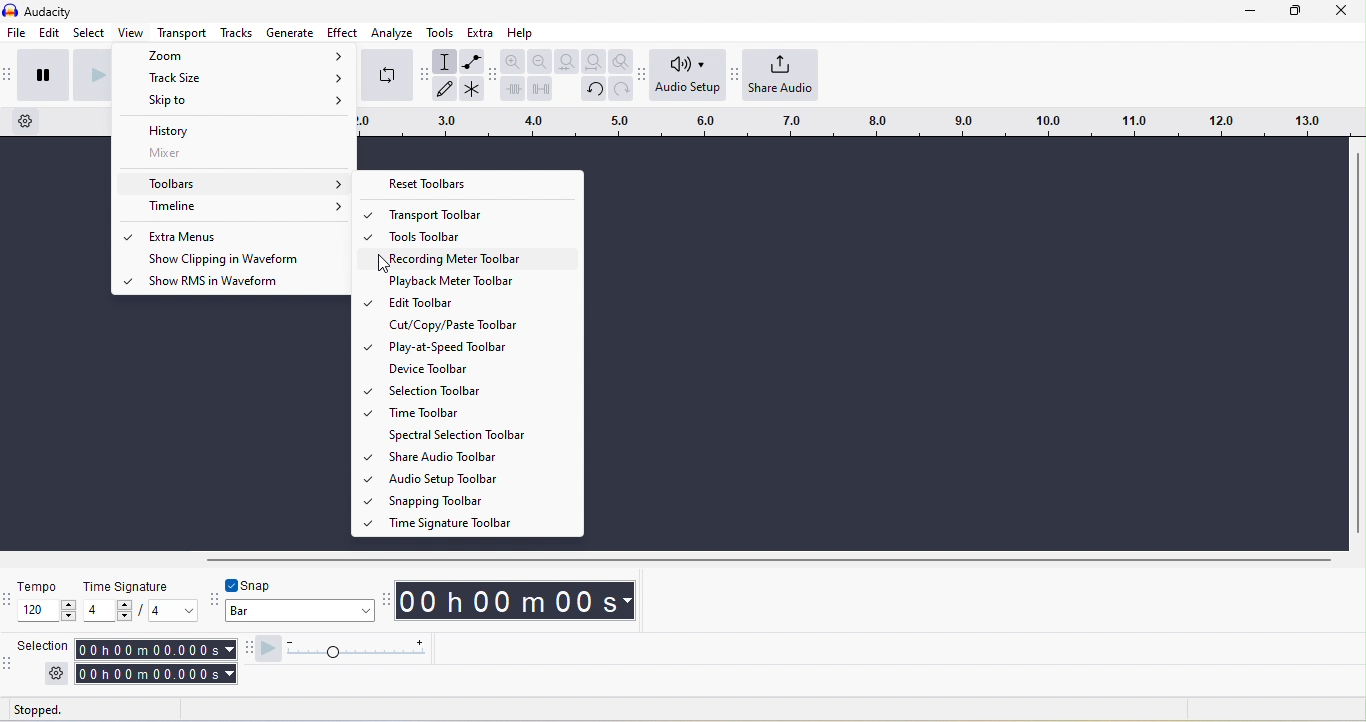  Describe the element at coordinates (595, 61) in the screenshot. I see `fit project to width` at that location.